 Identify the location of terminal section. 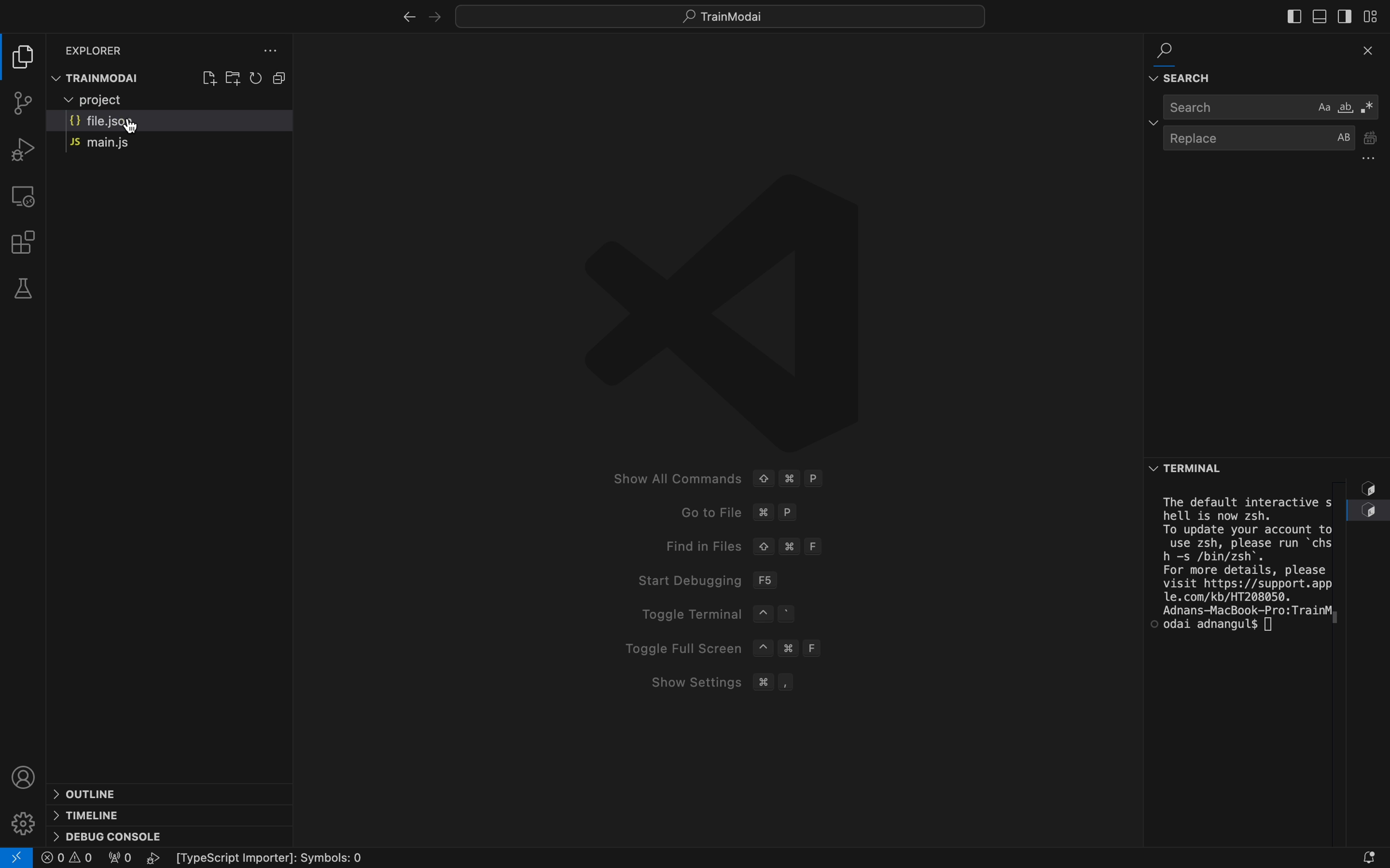
(1249, 665).